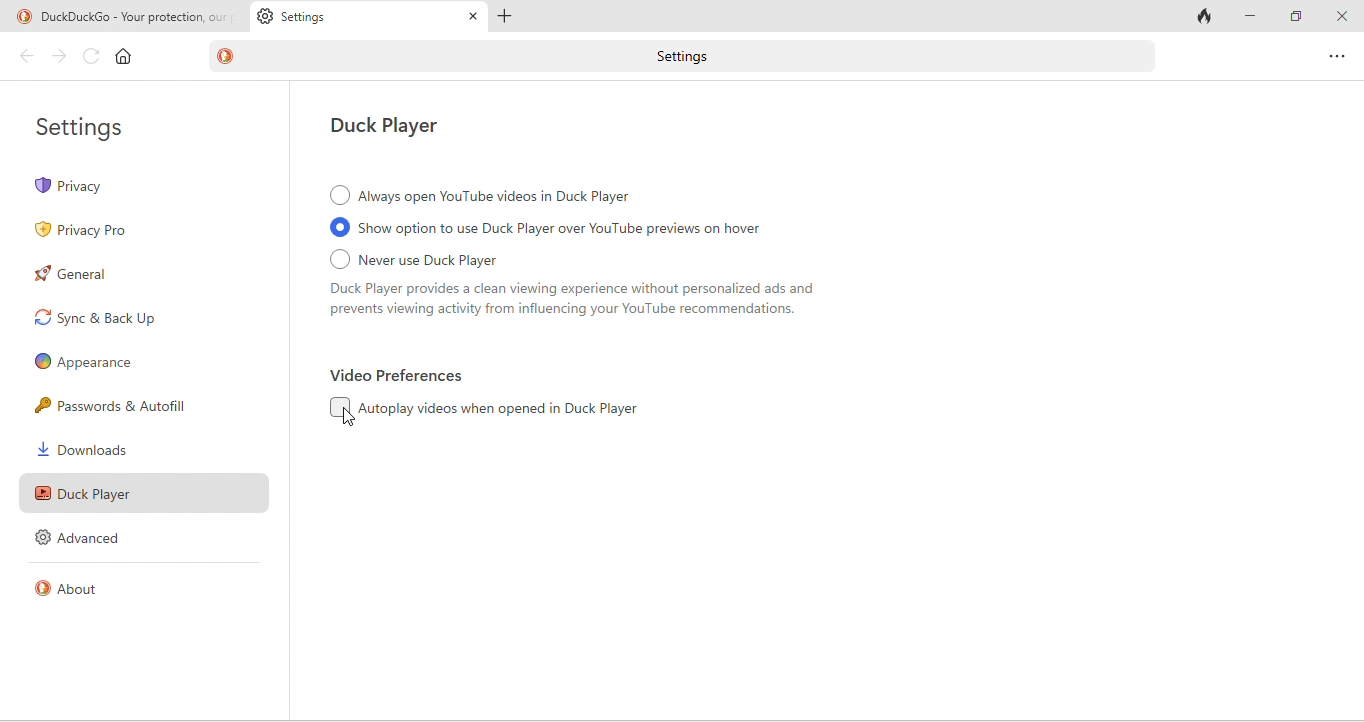 This screenshot has height=722, width=1364. What do you see at coordinates (95, 449) in the screenshot?
I see `downloads` at bounding box center [95, 449].